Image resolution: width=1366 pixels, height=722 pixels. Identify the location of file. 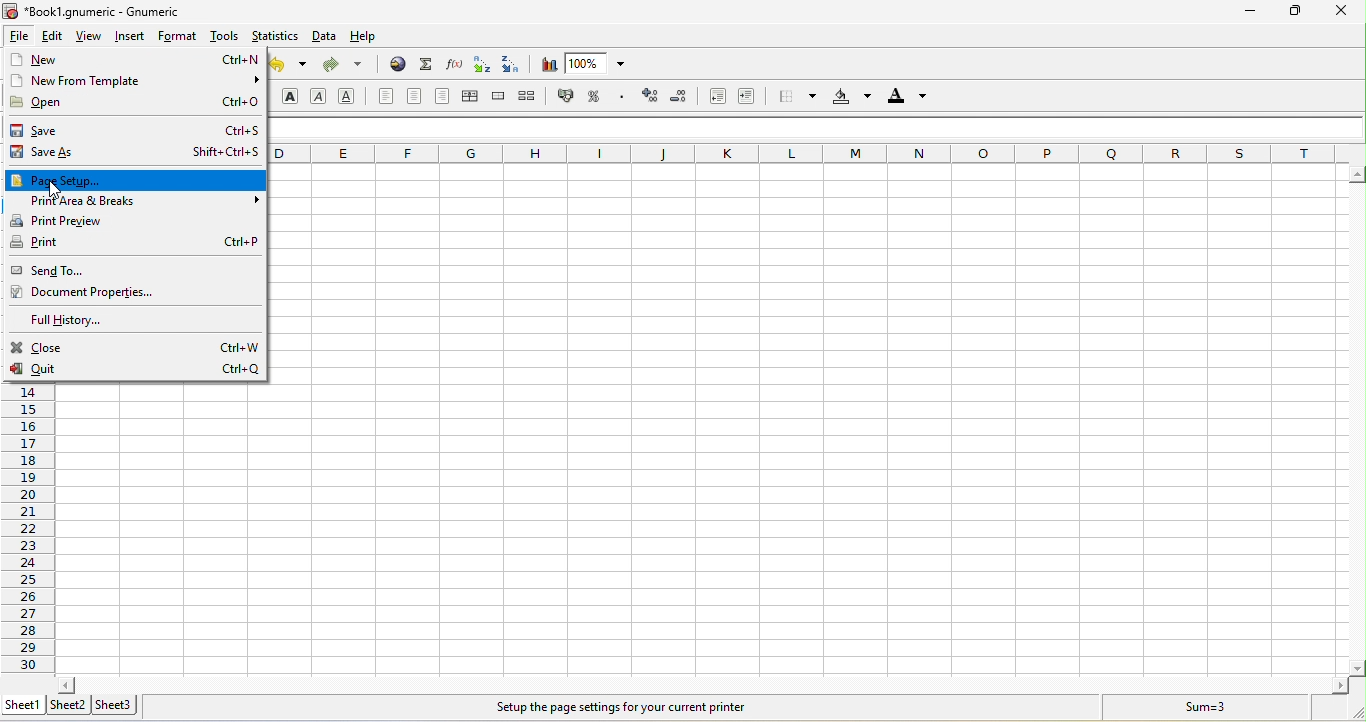
(19, 35).